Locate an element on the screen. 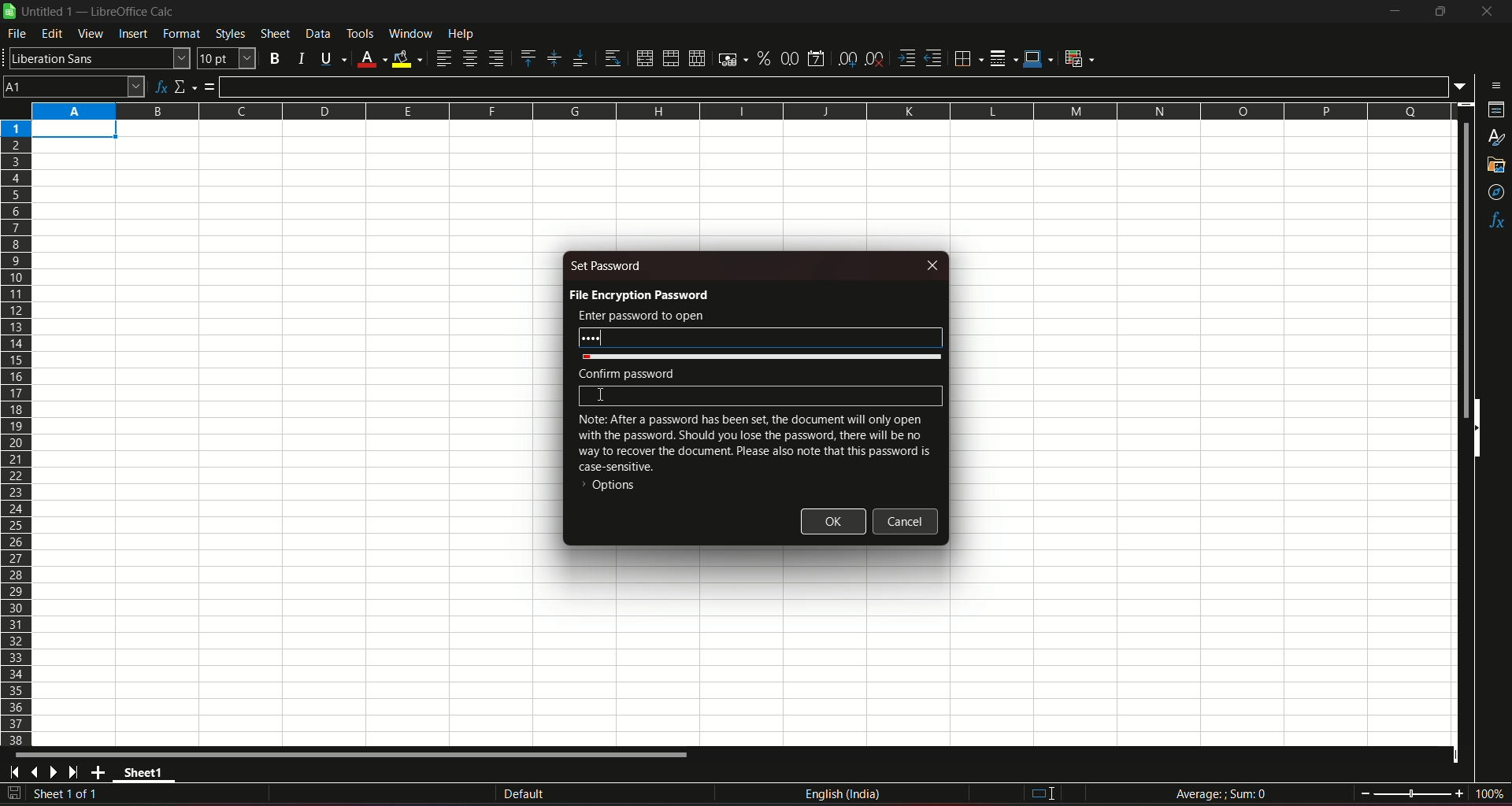  rows is located at coordinates (16, 433).